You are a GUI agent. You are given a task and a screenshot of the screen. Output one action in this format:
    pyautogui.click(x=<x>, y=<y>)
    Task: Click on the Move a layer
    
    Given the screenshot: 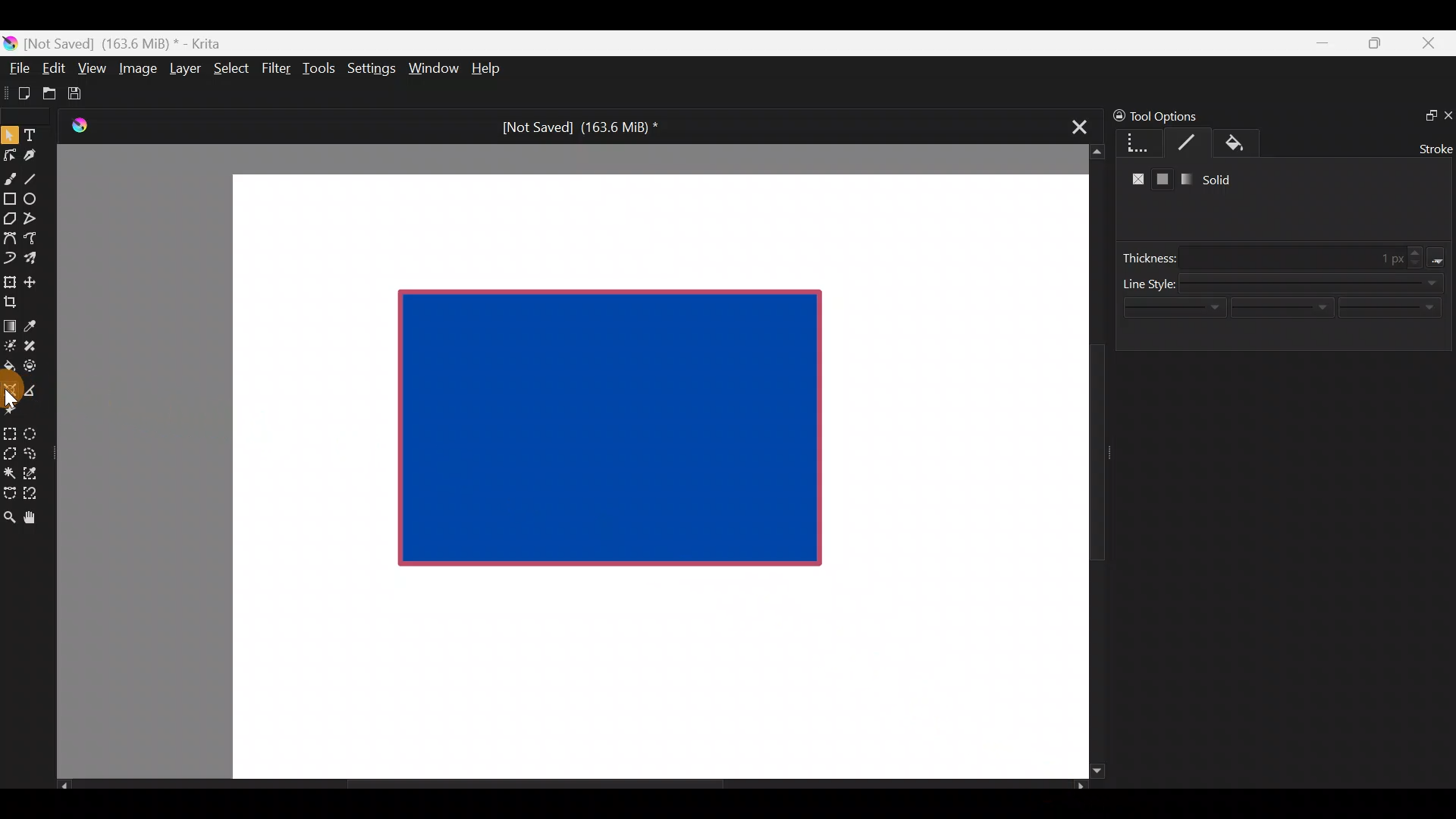 What is the action you would take?
    pyautogui.click(x=35, y=280)
    